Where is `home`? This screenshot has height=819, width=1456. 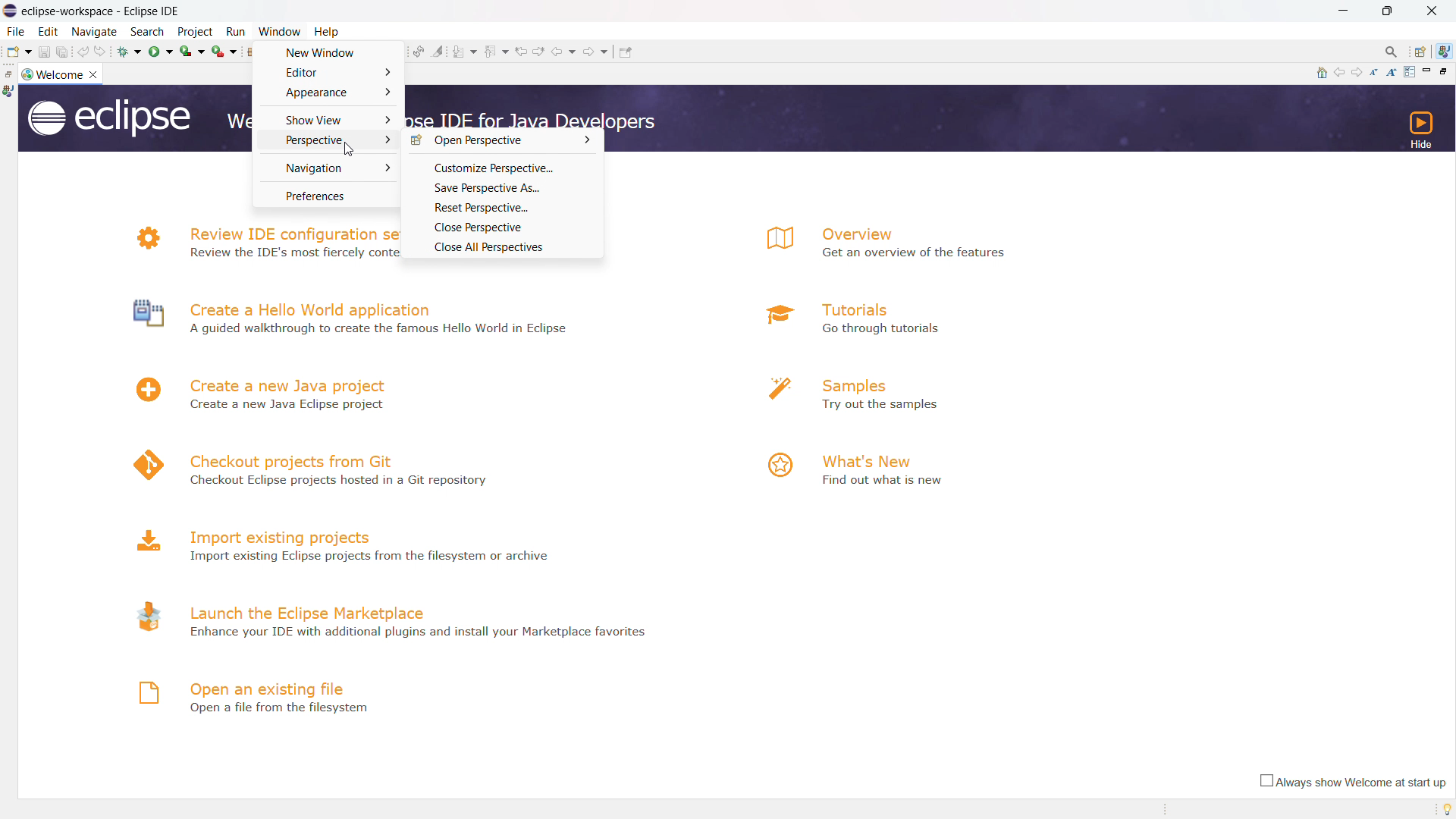
home is located at coordinates (1320, 73).